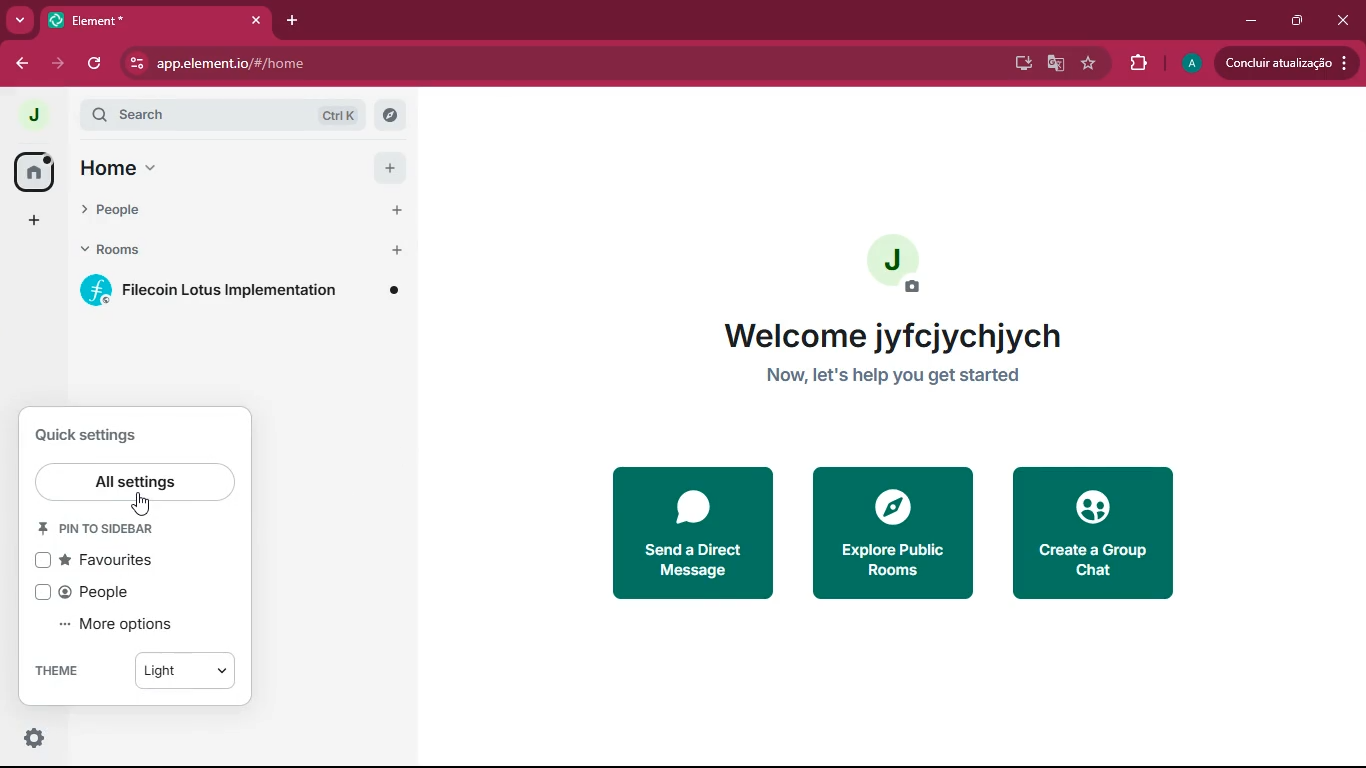 The width and height of the screenshot is (1366, 768). Describe the element at coordinates (349, 64) in the screenshot. I see `app.element.io/#/home` at that location.